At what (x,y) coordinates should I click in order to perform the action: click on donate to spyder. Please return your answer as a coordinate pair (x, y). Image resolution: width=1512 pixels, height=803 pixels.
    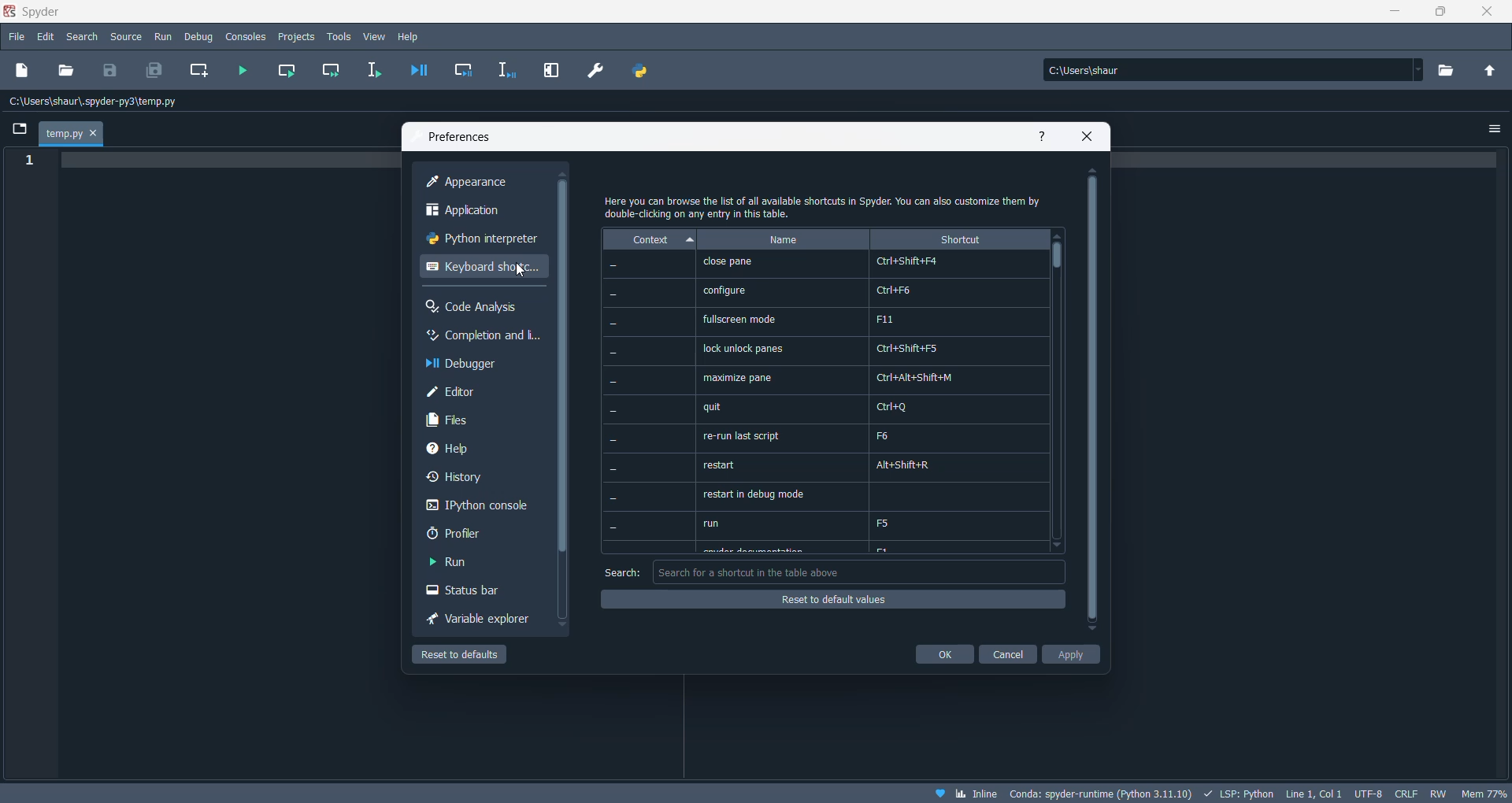
    Looking at the image, I should click on (939, 793).